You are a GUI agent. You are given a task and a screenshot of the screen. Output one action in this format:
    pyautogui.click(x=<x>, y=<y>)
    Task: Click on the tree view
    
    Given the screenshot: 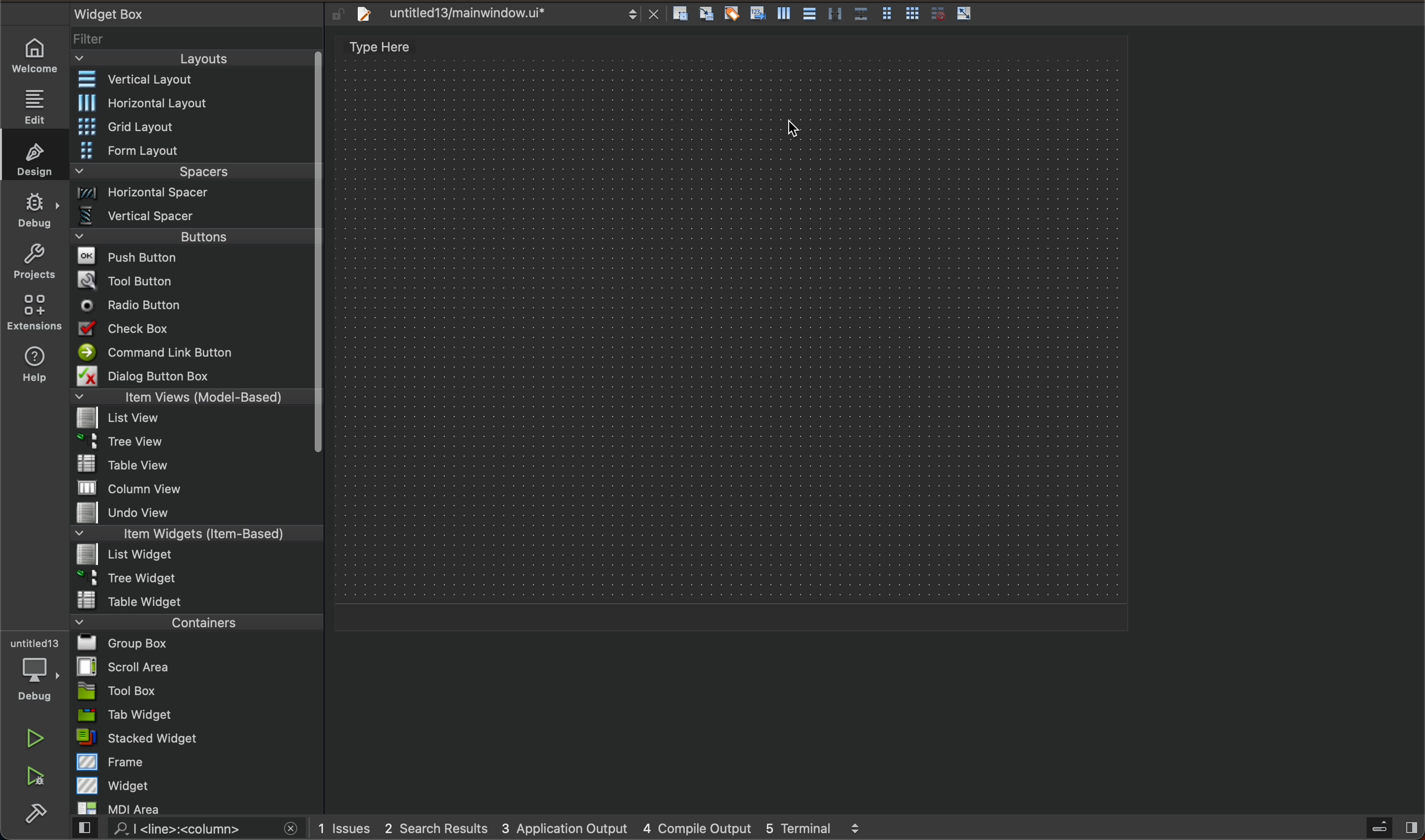 What is the action you would take?
    pyautogui.click(x=194, y=443)
    